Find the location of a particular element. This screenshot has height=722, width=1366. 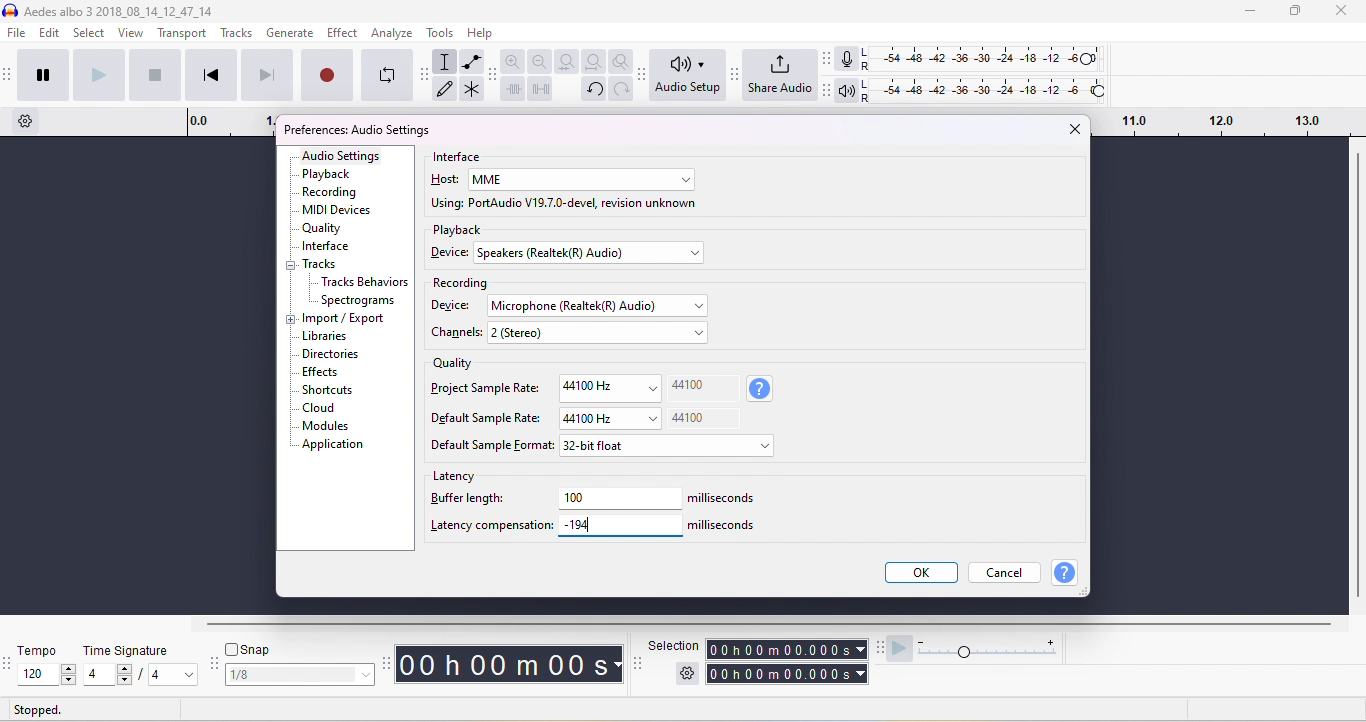

select device is located at coordinates (590, 254).